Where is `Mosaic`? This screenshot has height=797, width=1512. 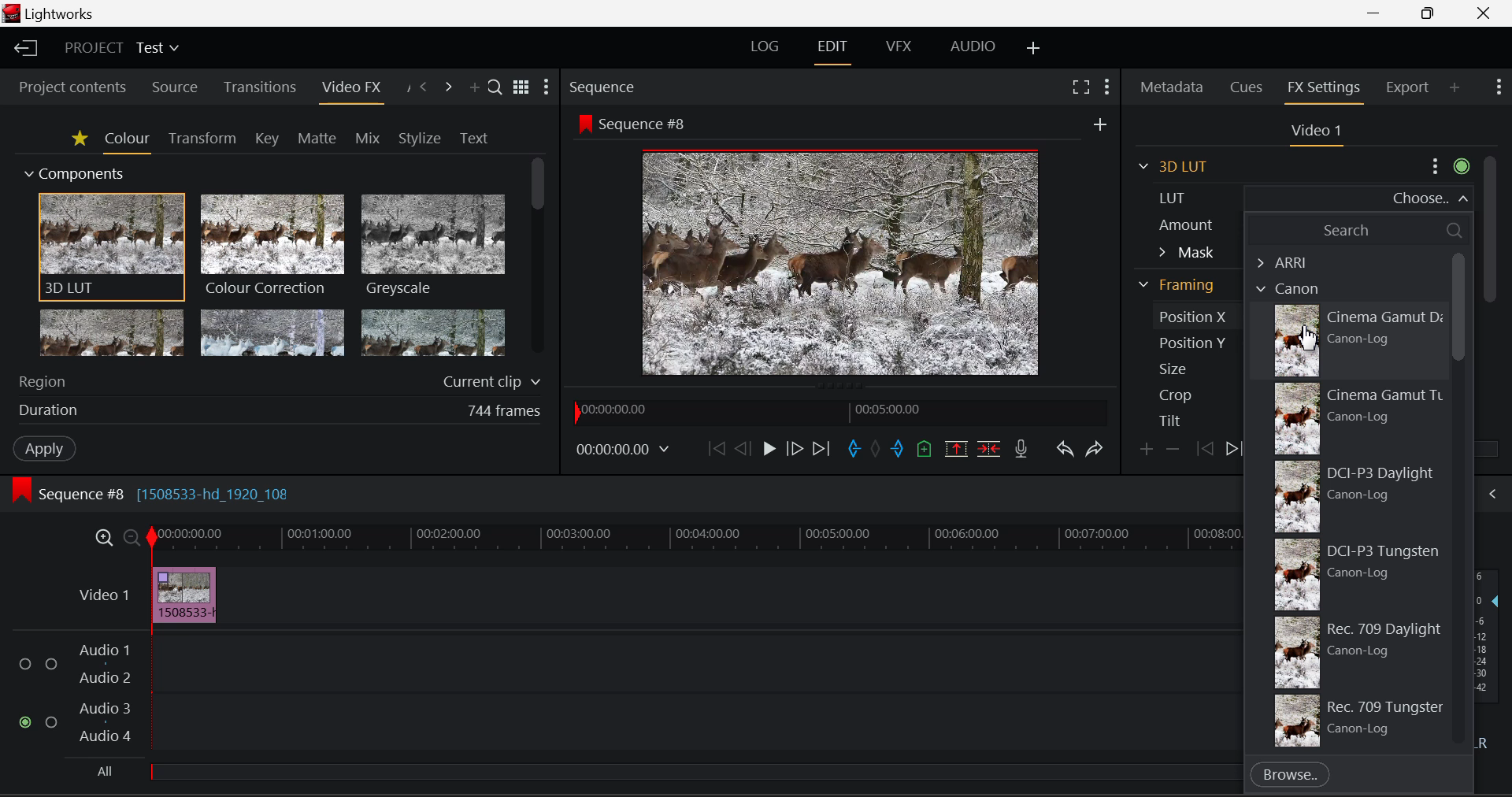
Mosaic is located at coordinates (273, 334).